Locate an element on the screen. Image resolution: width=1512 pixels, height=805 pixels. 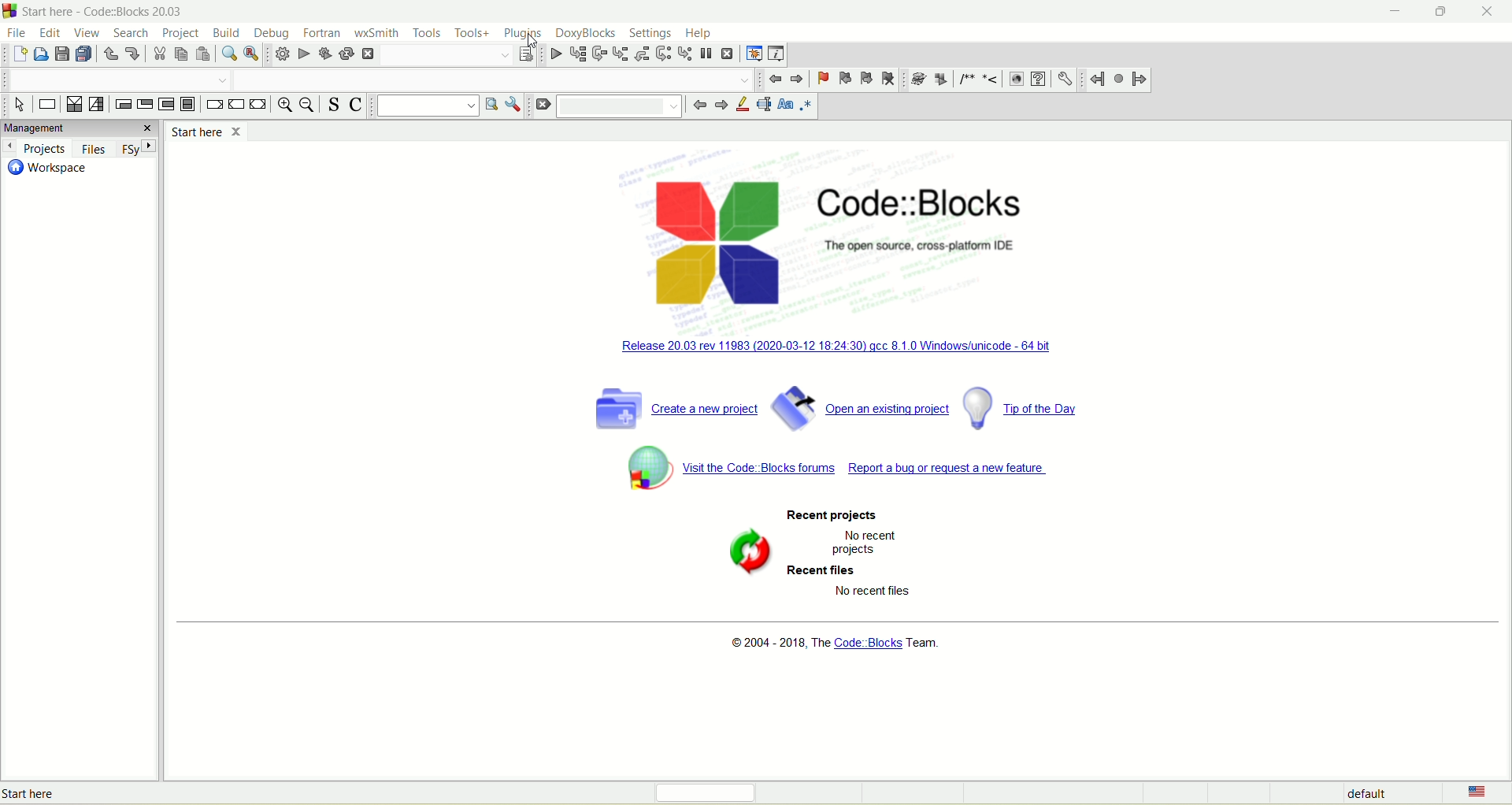
language is located at coordinates (1471, 793).